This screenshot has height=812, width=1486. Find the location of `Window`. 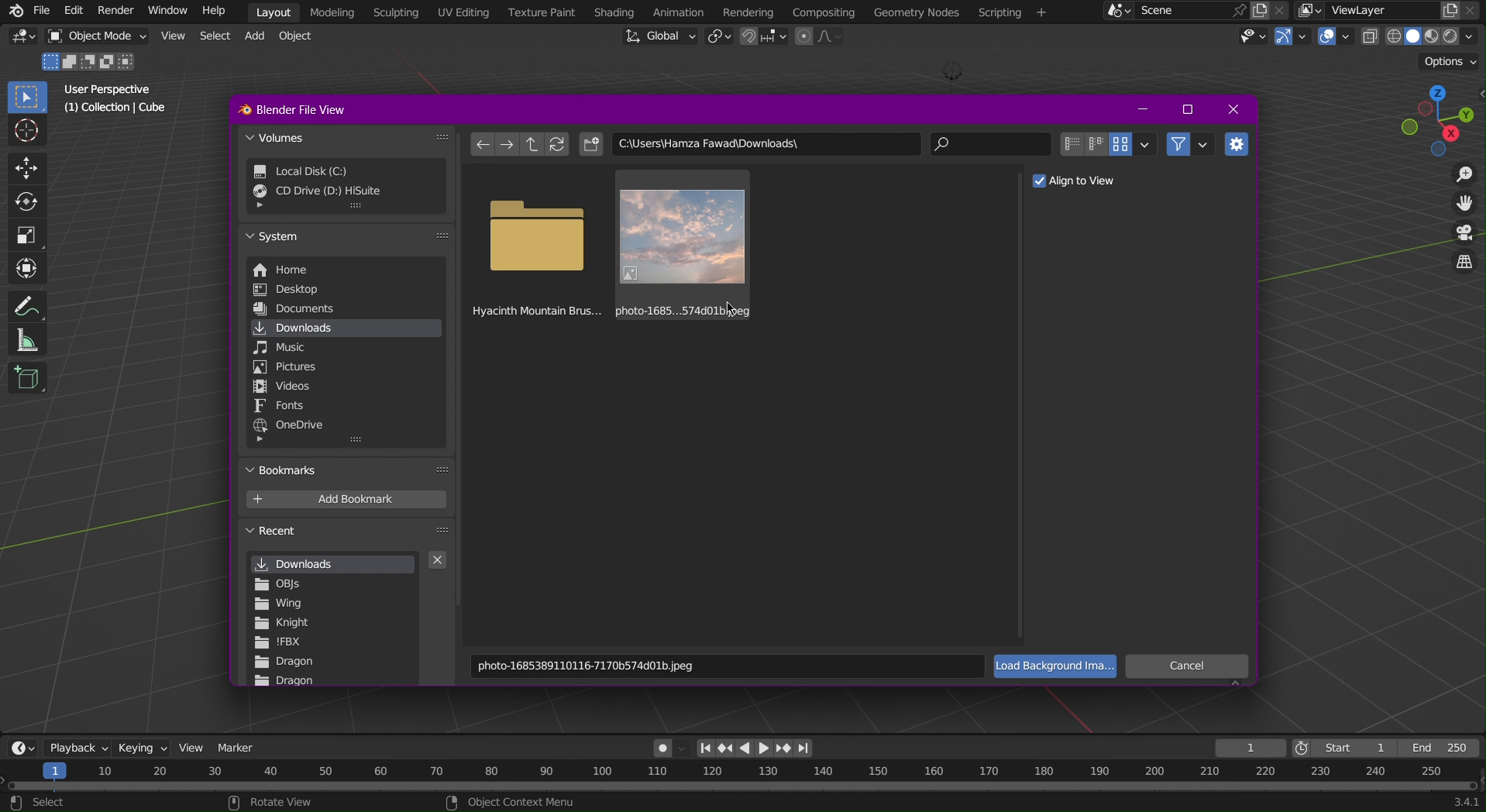

Window is located at coordinates (164, 12).